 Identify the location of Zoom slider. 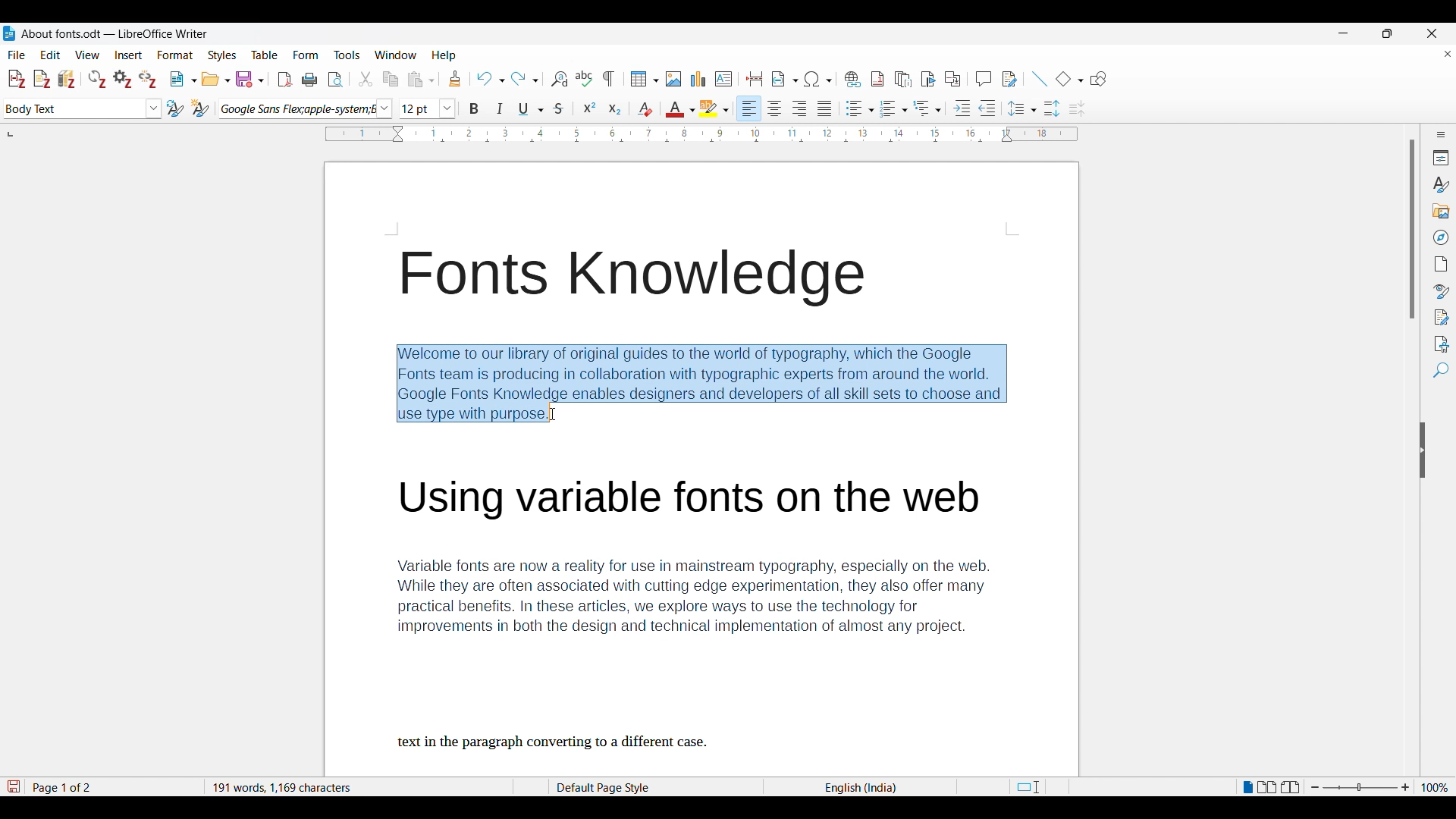
(1360, 787).